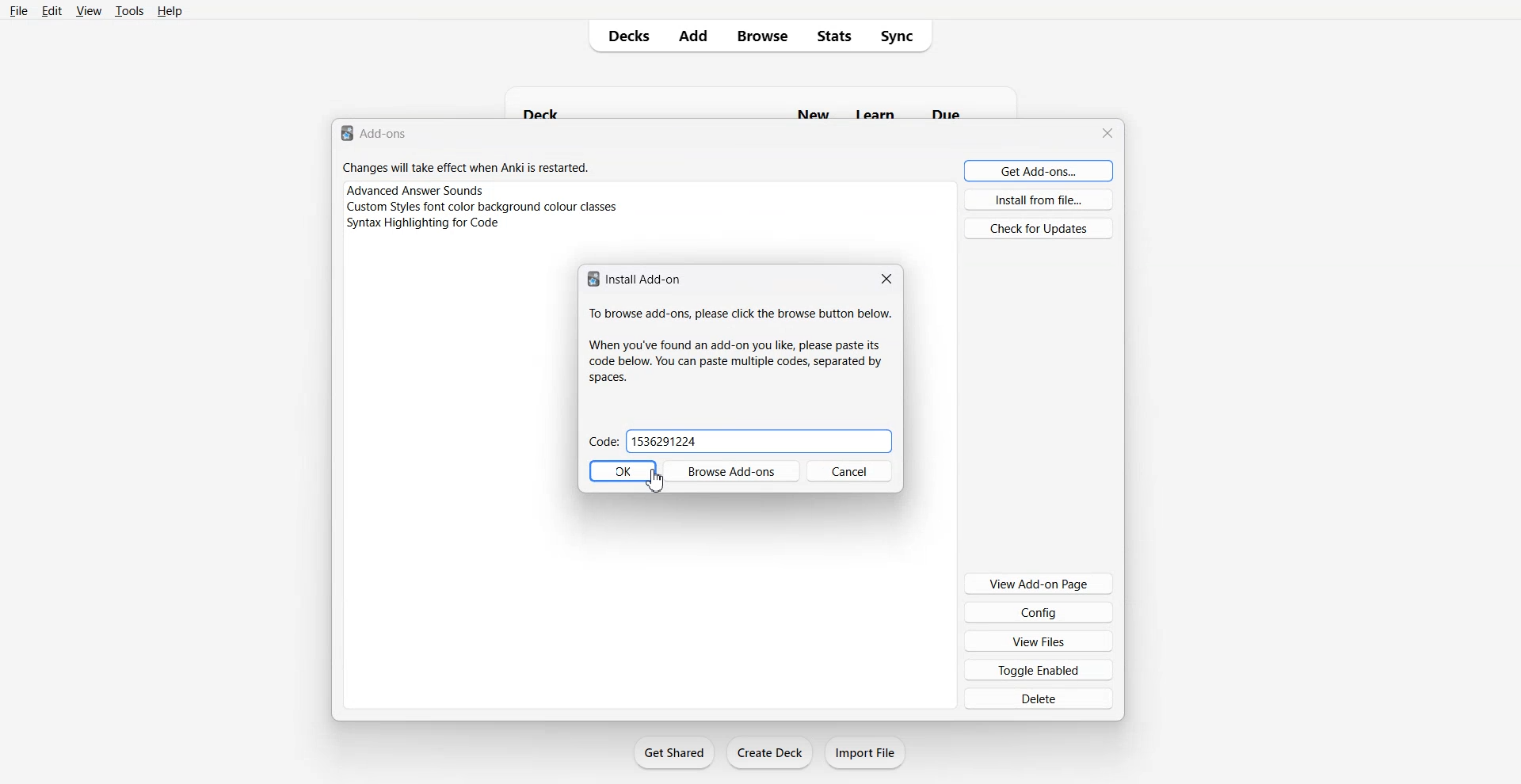 The height and width of the screenshot is (784, 1521). What do you see at coordinates (730, 470) in the screenshot?
I see `Browse Add-ons` at bounding box center [730, 470].